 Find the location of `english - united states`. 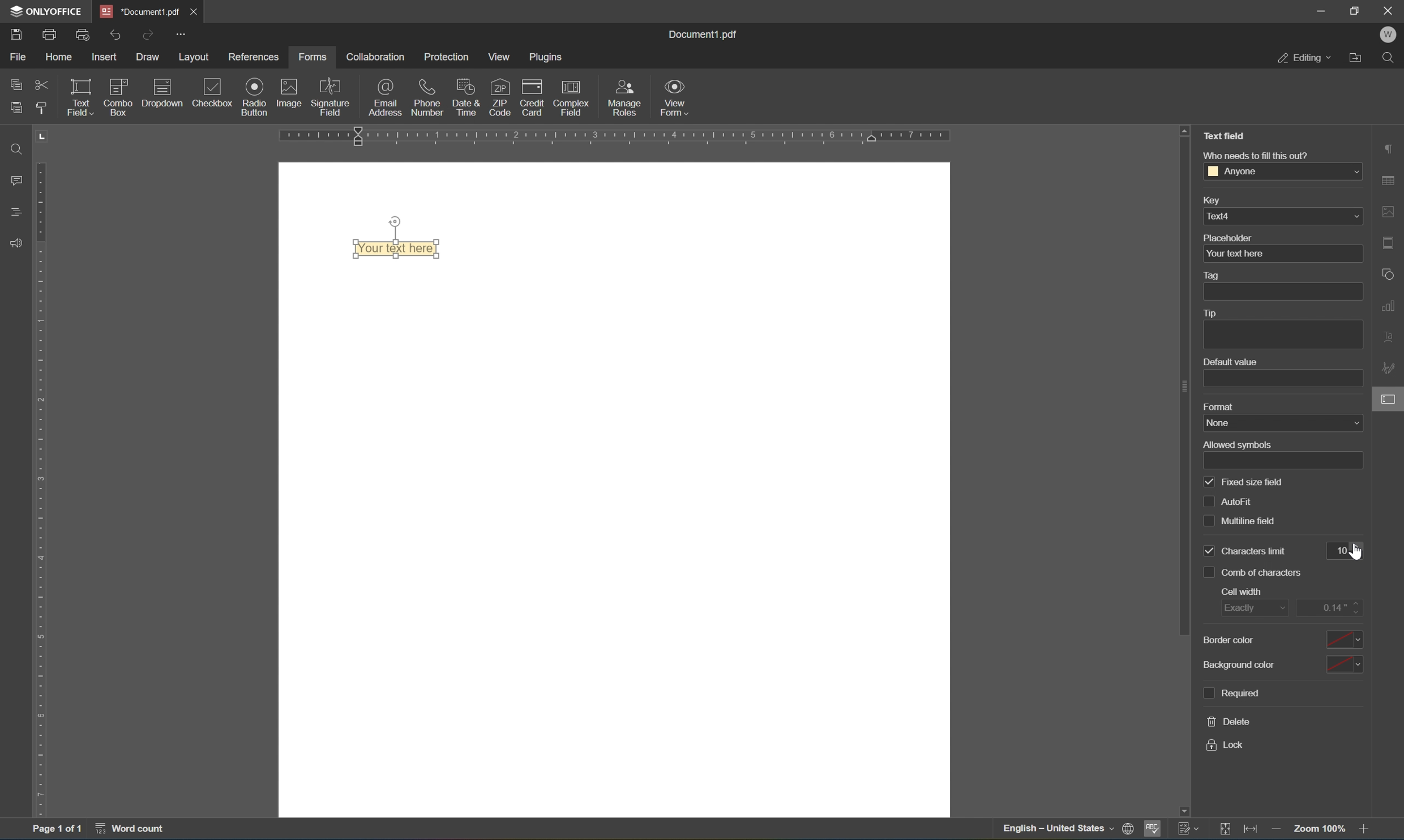

english - united states is located at coordinates (1055, 829).